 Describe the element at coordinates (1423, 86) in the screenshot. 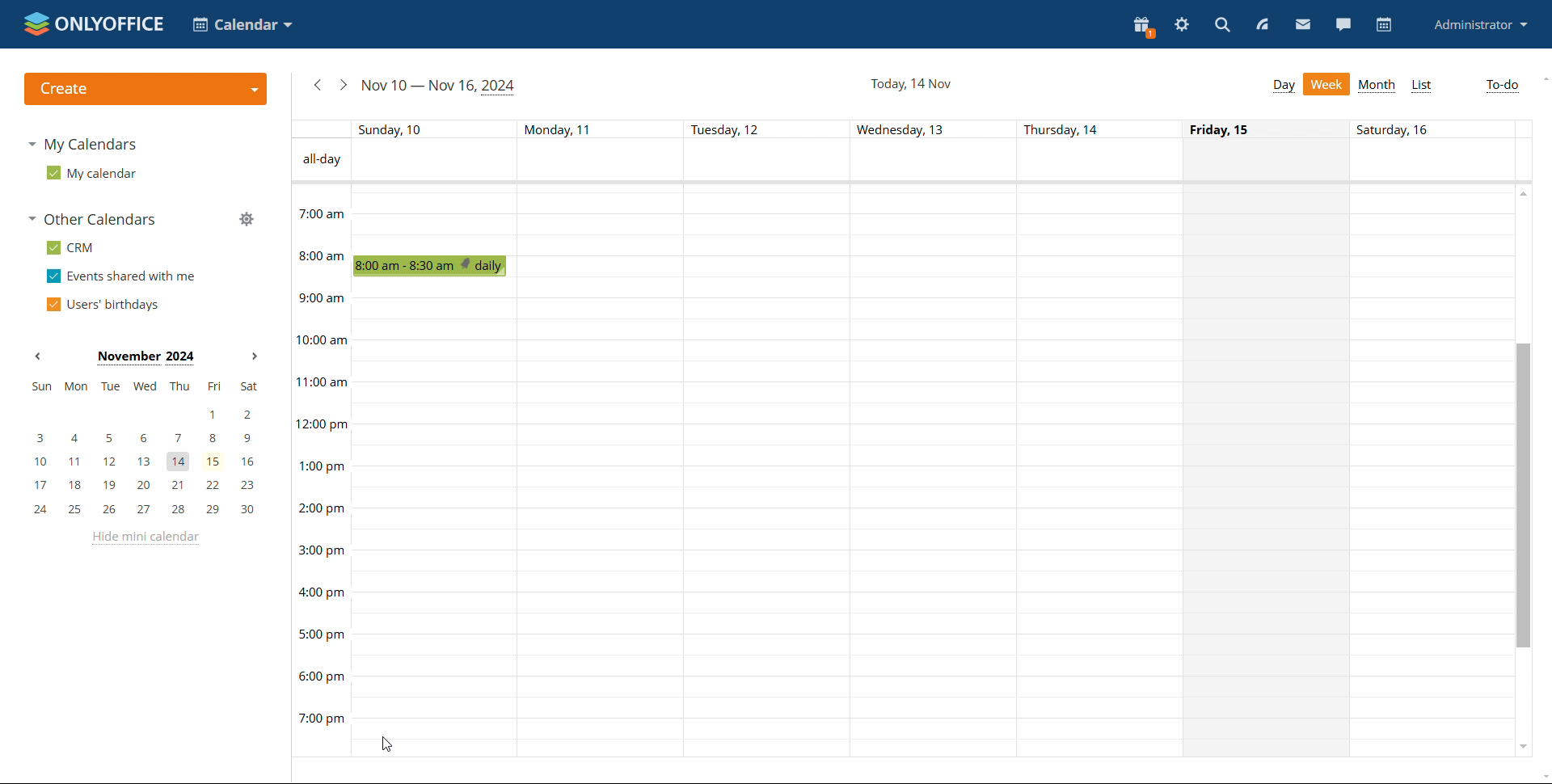

I see `list view` at that location.